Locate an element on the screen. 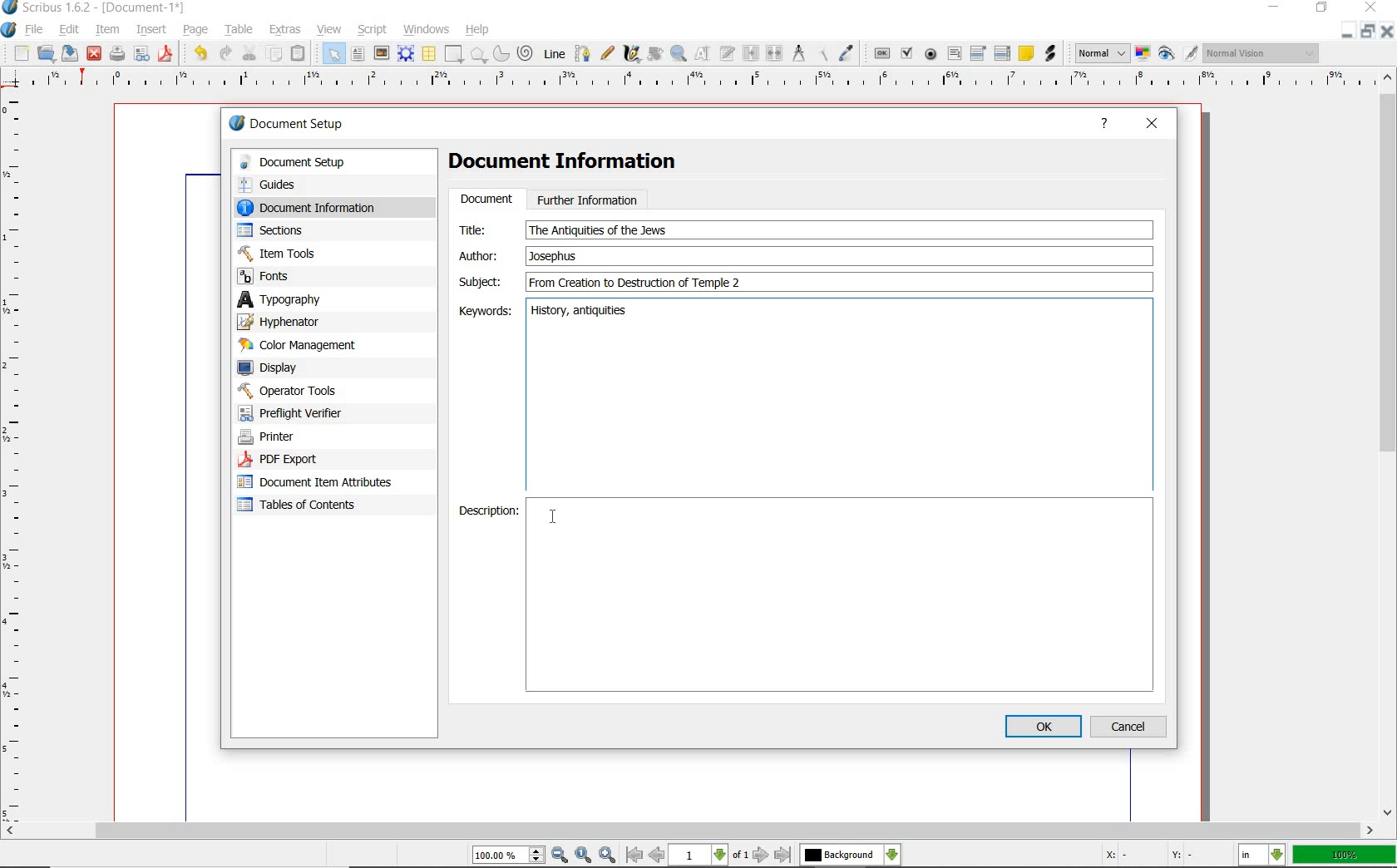  text frame is located at coordinates (358, 54).